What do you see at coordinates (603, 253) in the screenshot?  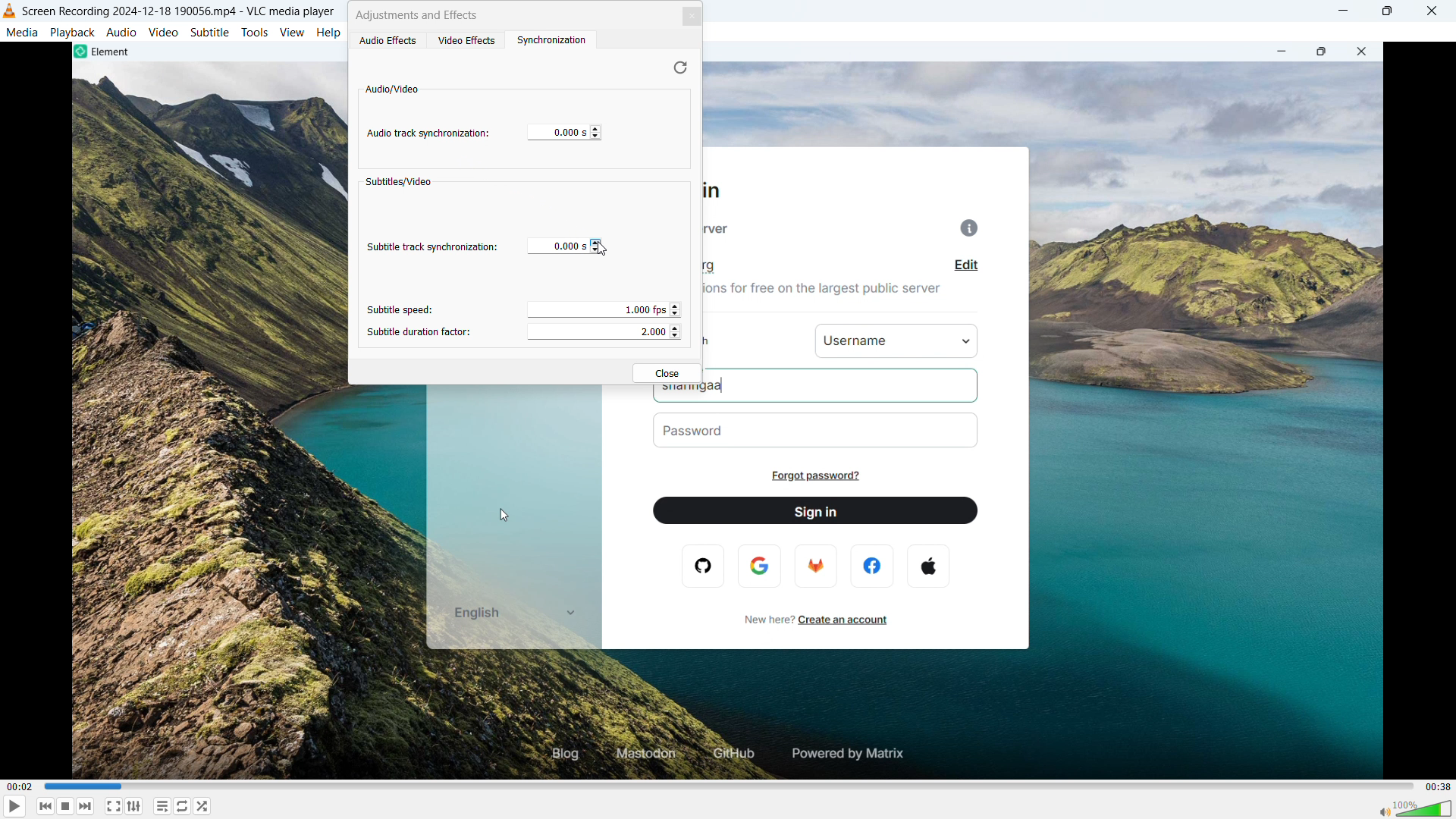 I see `cursor movement` at bounding box center [603, 253].